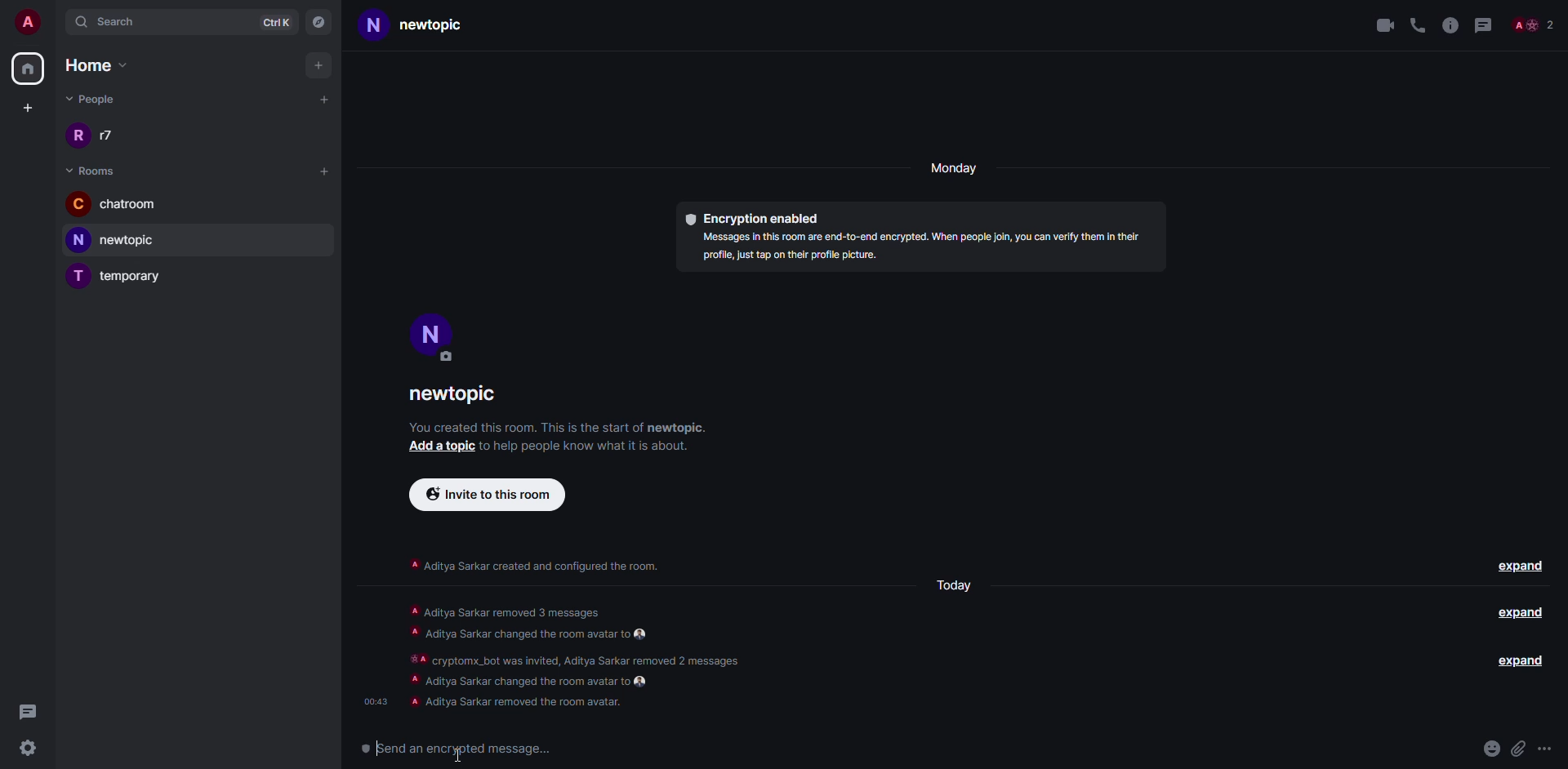  What do you see at coordinates (99, 137) in the screenshot?
I see `r7` at bounding box center [99, 137].